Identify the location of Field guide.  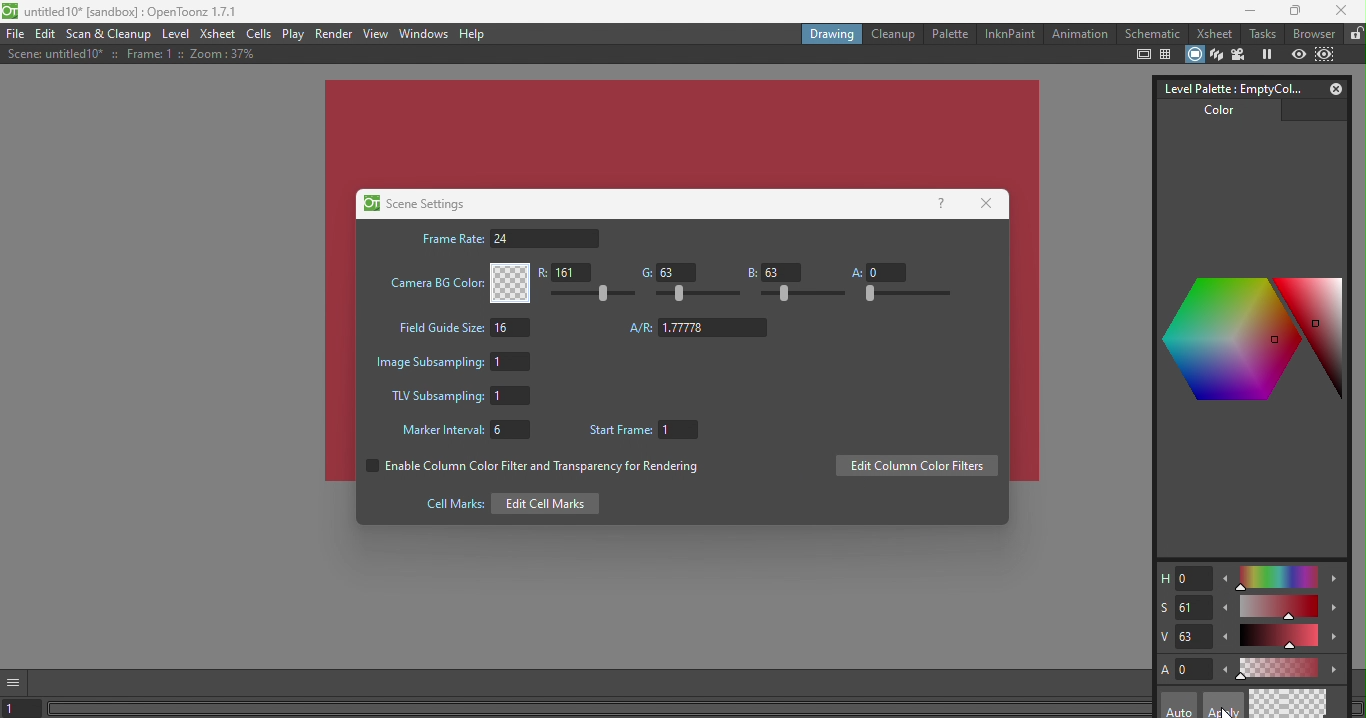
(1168, 55).